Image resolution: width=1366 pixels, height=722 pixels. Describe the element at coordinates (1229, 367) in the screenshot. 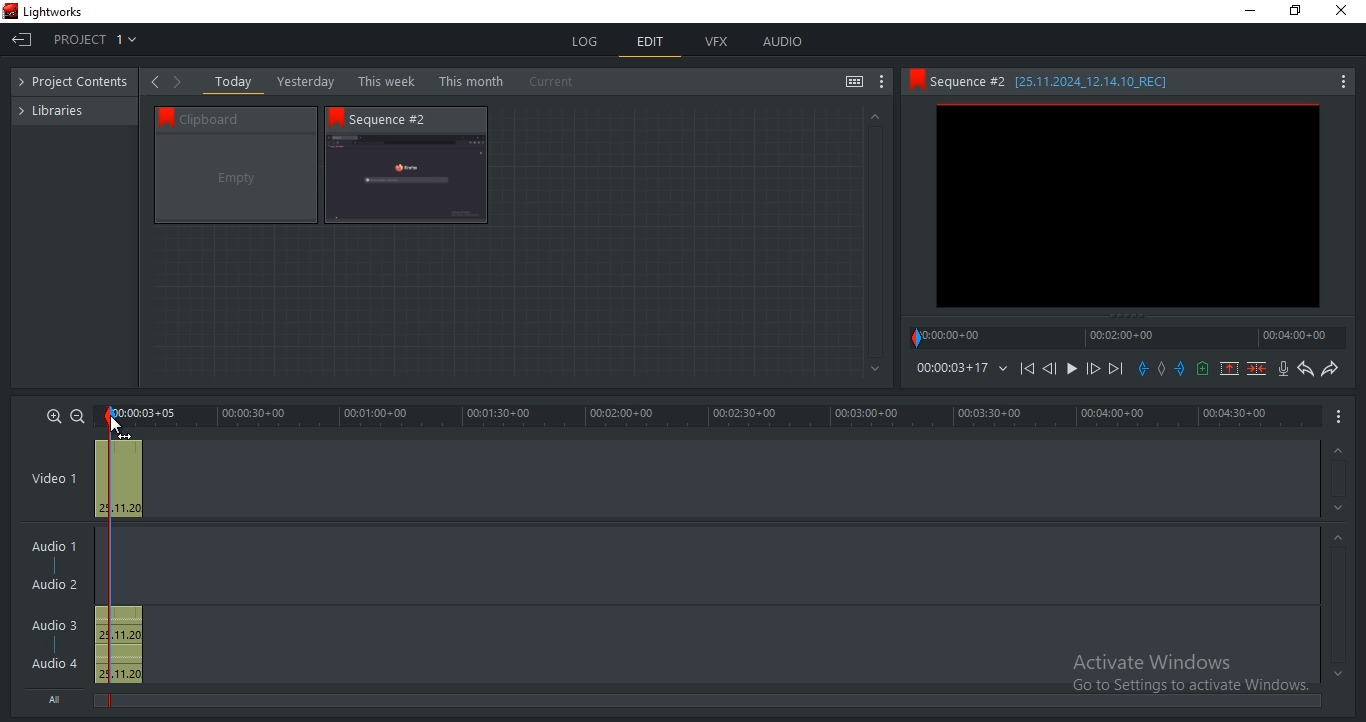

I see `remove marked section` at that location.